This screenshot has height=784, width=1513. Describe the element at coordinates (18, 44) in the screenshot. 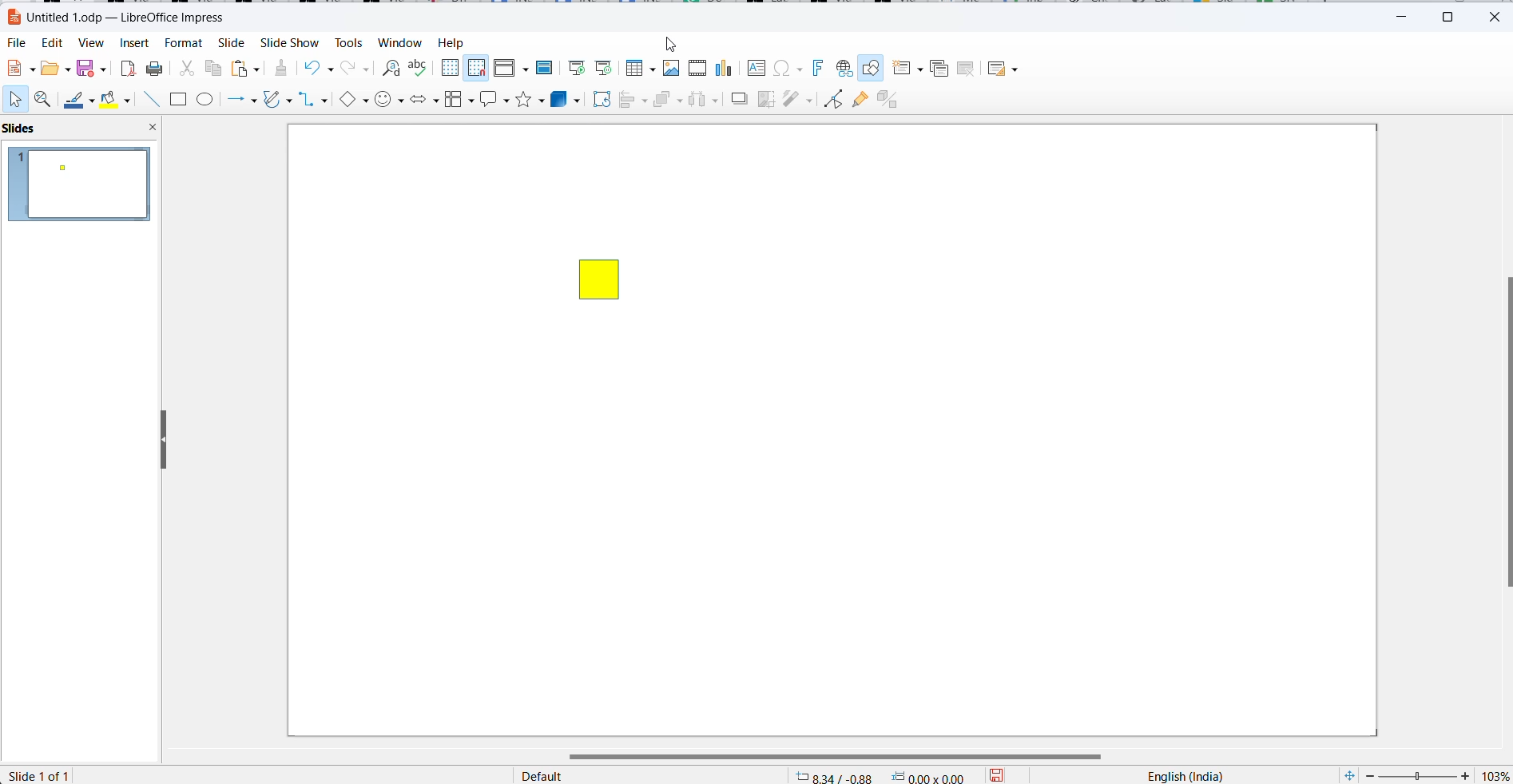

I see `File` at that location.